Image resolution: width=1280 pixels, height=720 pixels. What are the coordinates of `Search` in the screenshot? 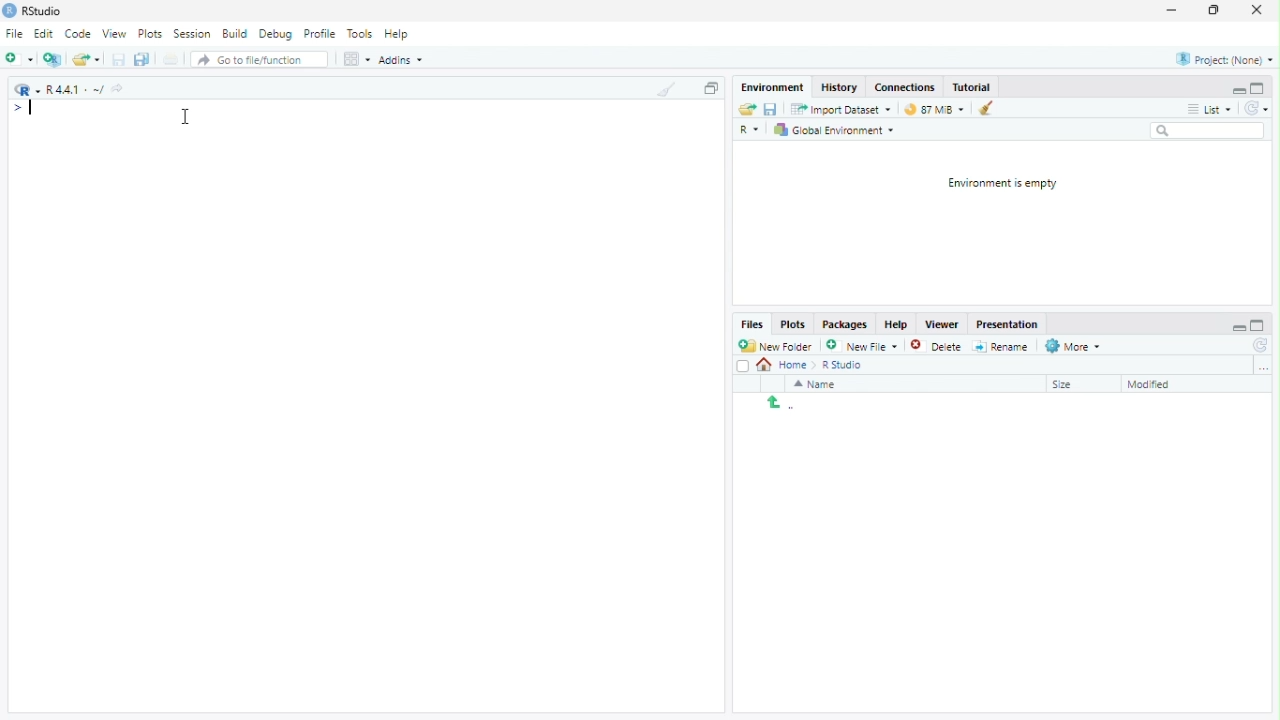 It's located at (1208, 130).